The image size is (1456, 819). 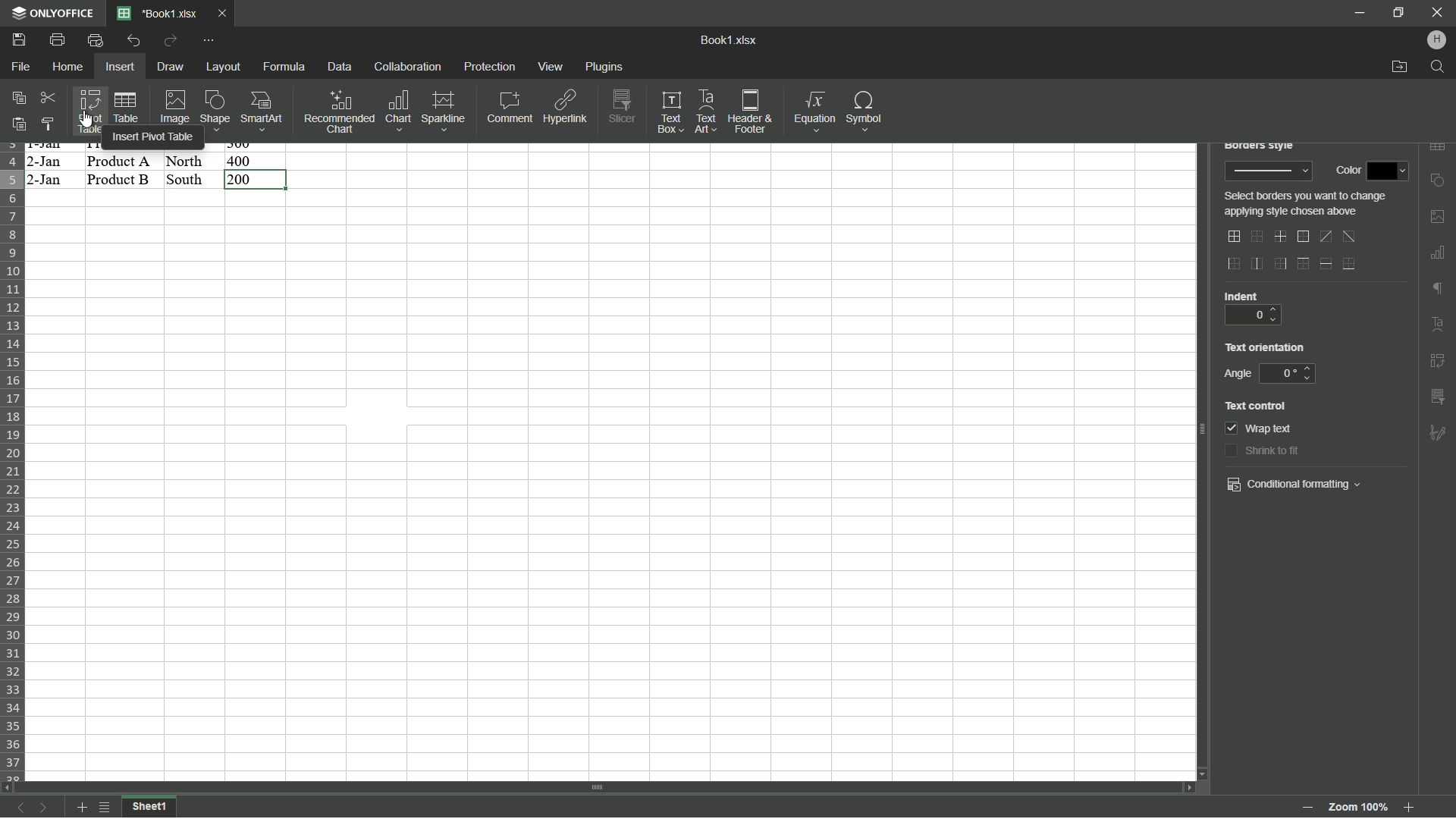 What do you see at coordinates (1438, 216) in the screenshot?
I see `insert image` at bounding box center [1438, 216].